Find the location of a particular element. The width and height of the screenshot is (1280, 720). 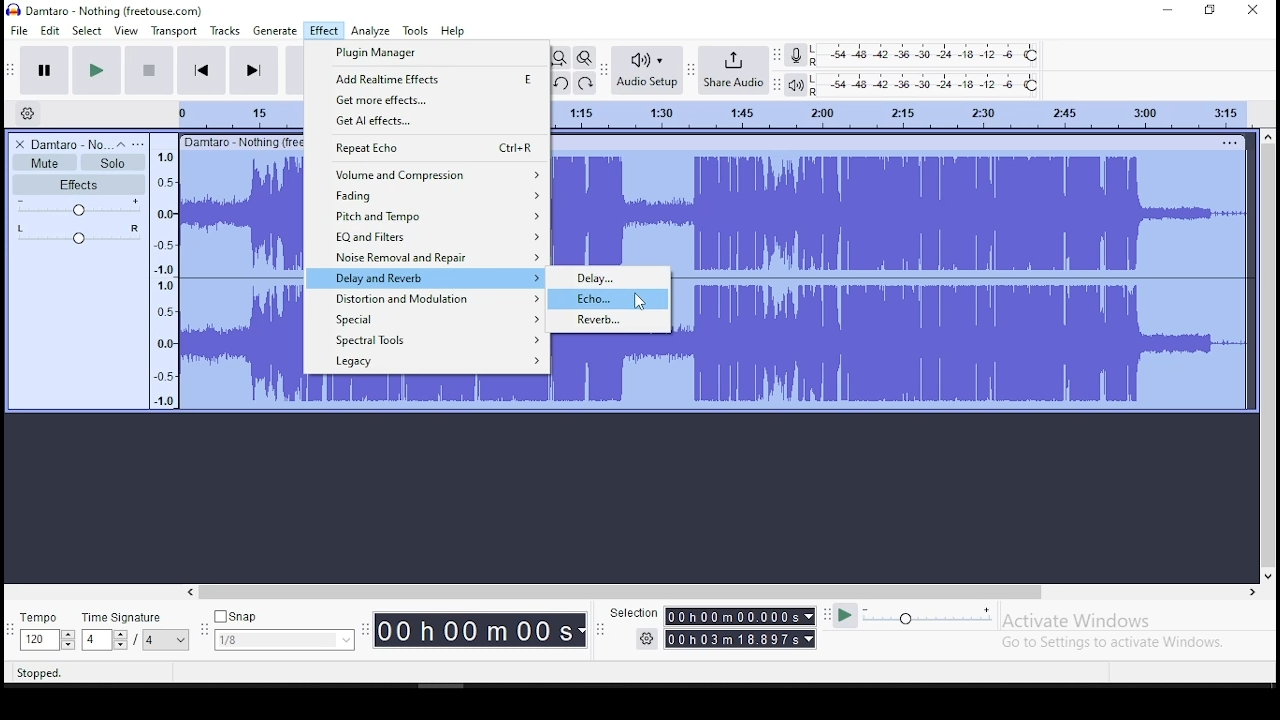

Drop down is located at coordinates (178, 640).